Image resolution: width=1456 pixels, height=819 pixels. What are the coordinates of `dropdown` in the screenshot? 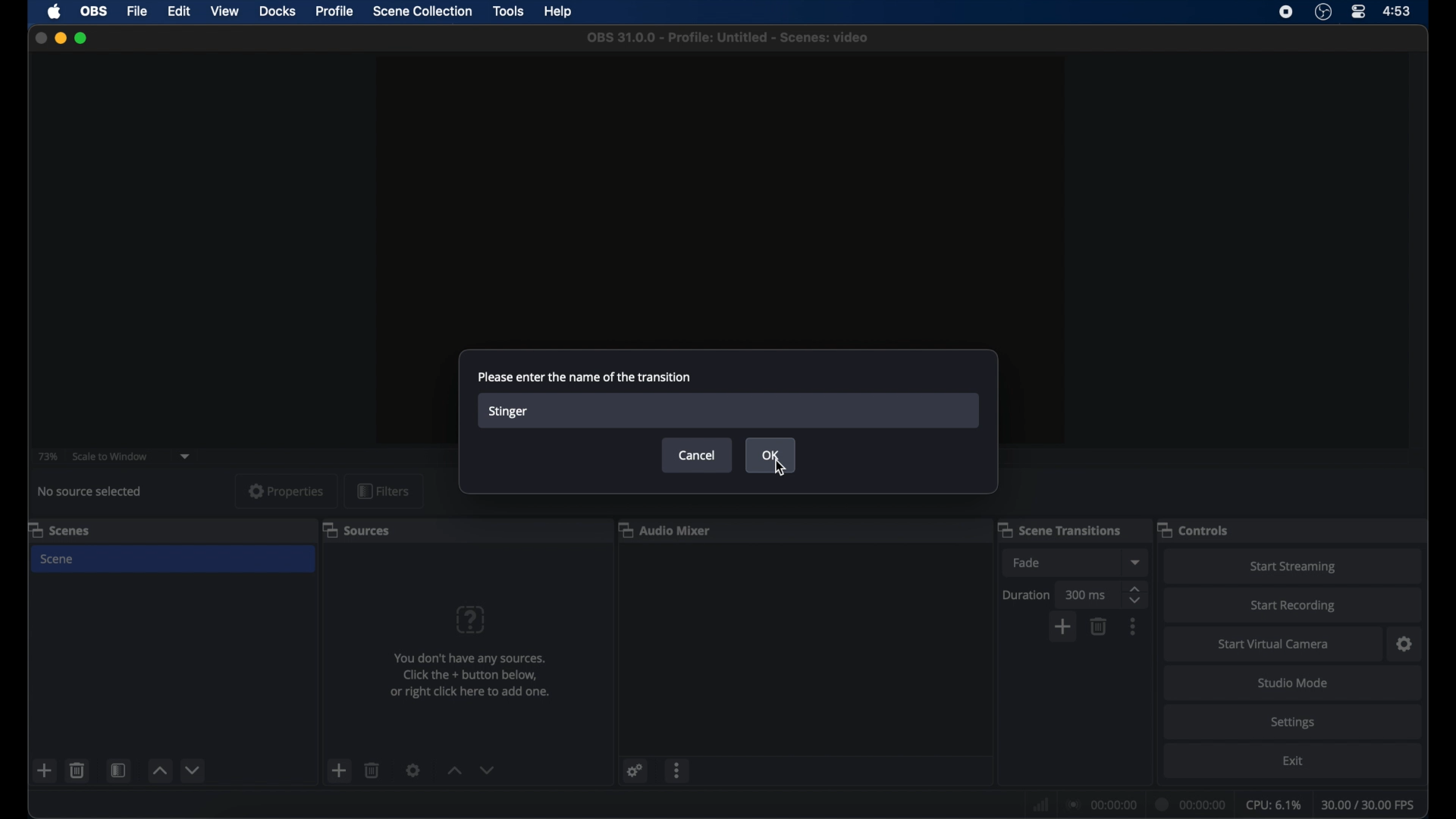 It's located at (1137, 562).